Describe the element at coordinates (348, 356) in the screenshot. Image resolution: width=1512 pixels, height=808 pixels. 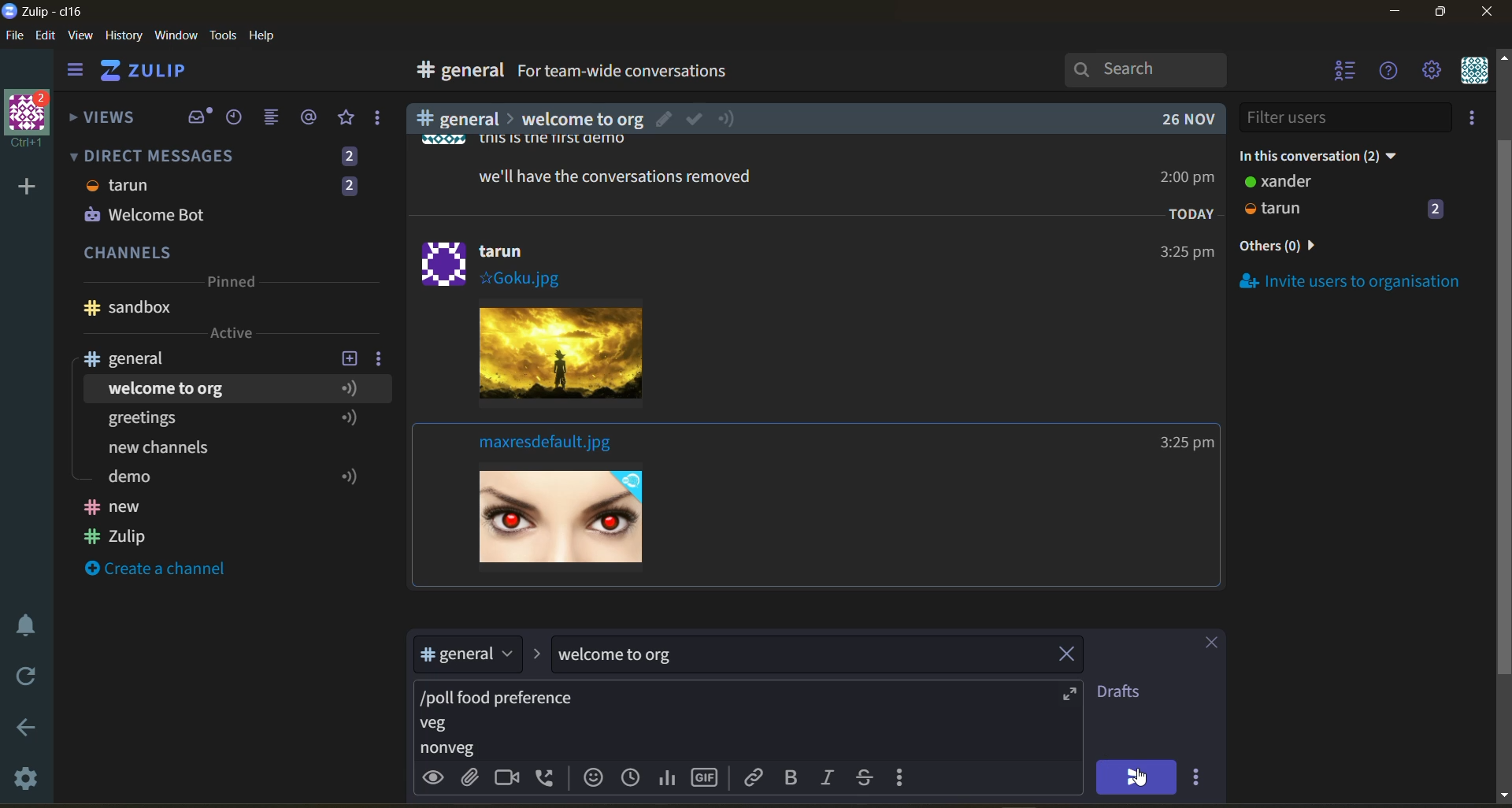
I see `add new topic` at that location.